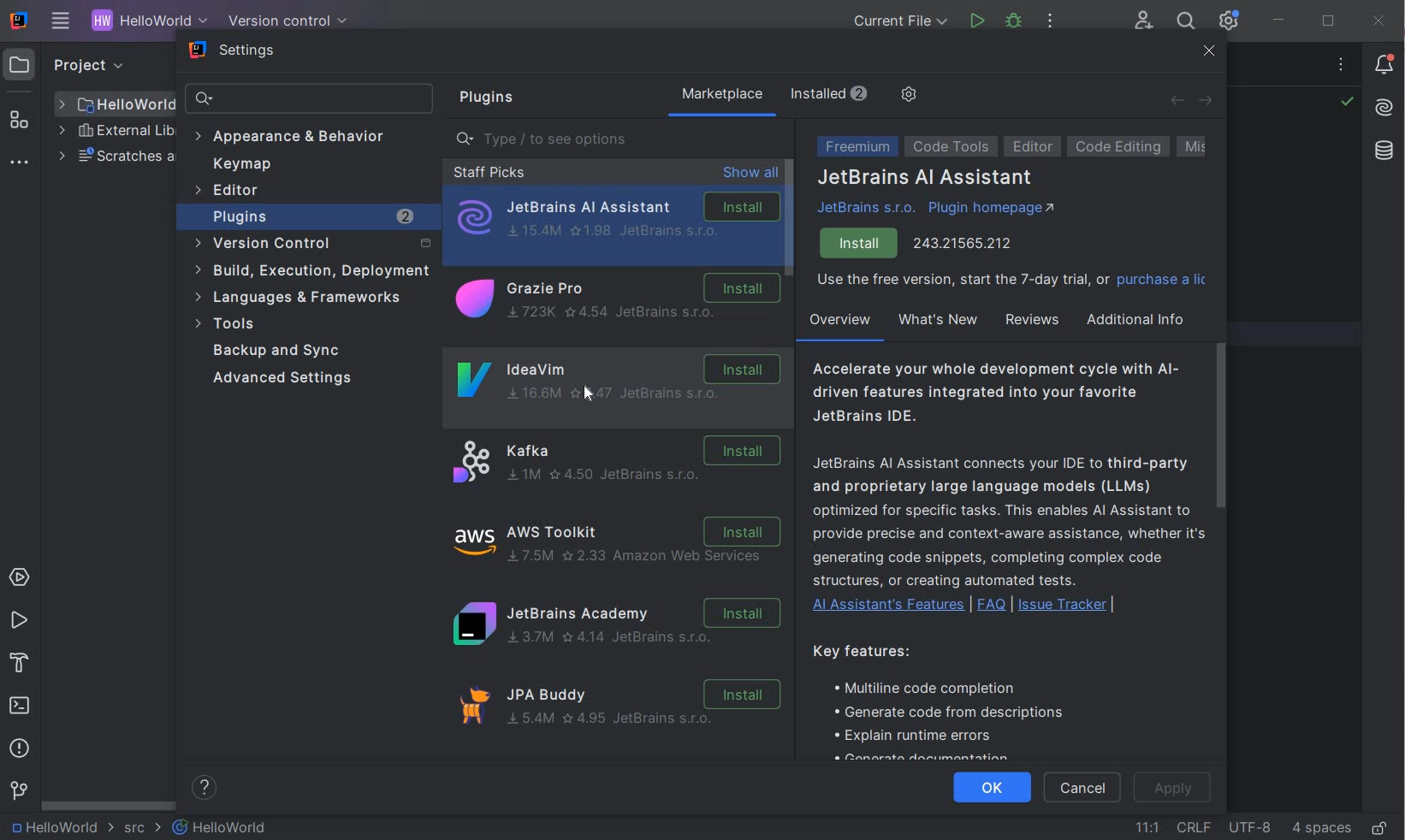 This screenshot has width=1405, height=840. What do you see at coordinates (614, 301) in the screenshot?
I see `Grazier Pro Installation` at bounding box center [614, 301].